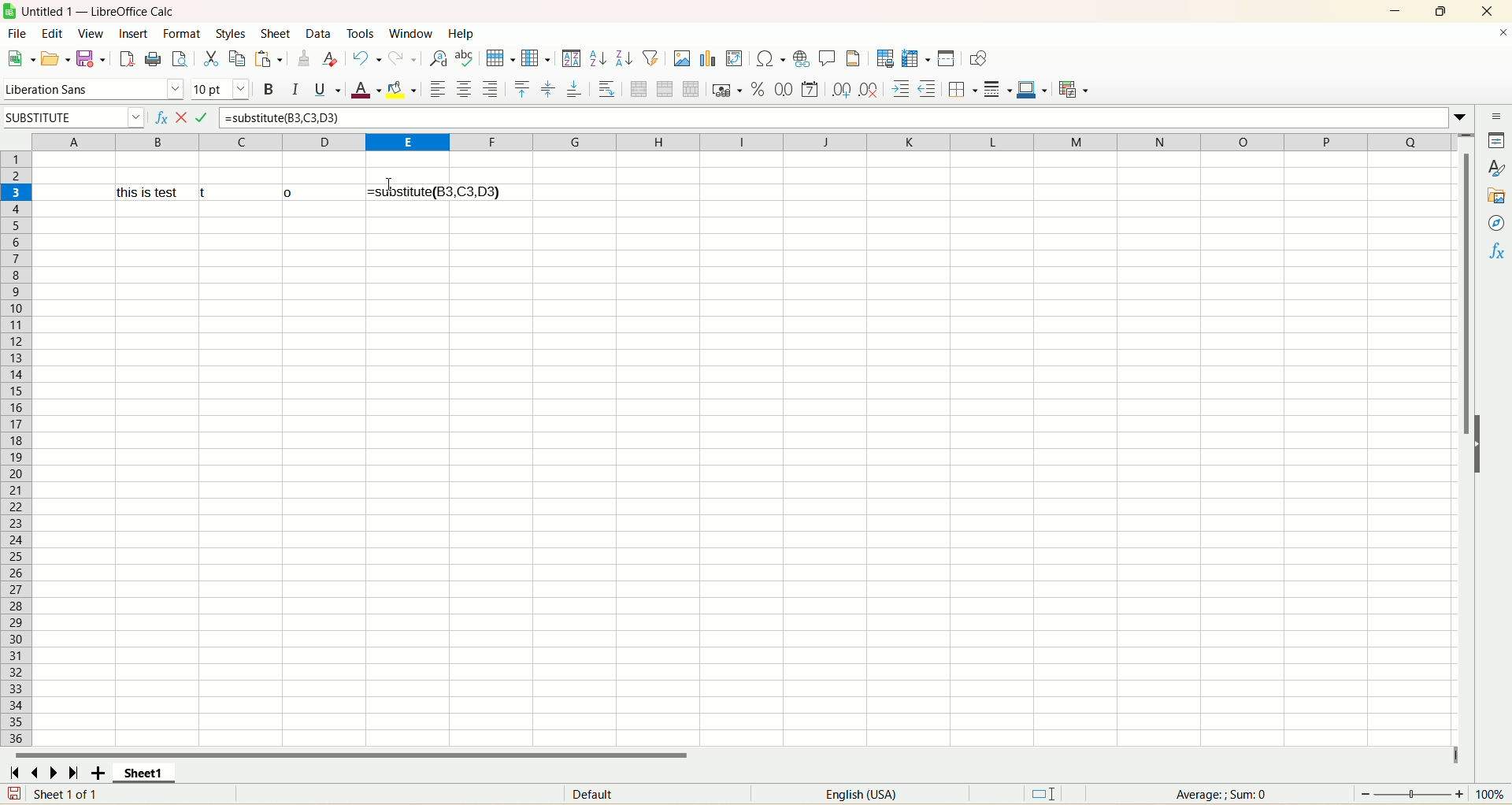  Describe the element at coordinates (577, 89) in the screenshot. I see `align bottom` at that location.